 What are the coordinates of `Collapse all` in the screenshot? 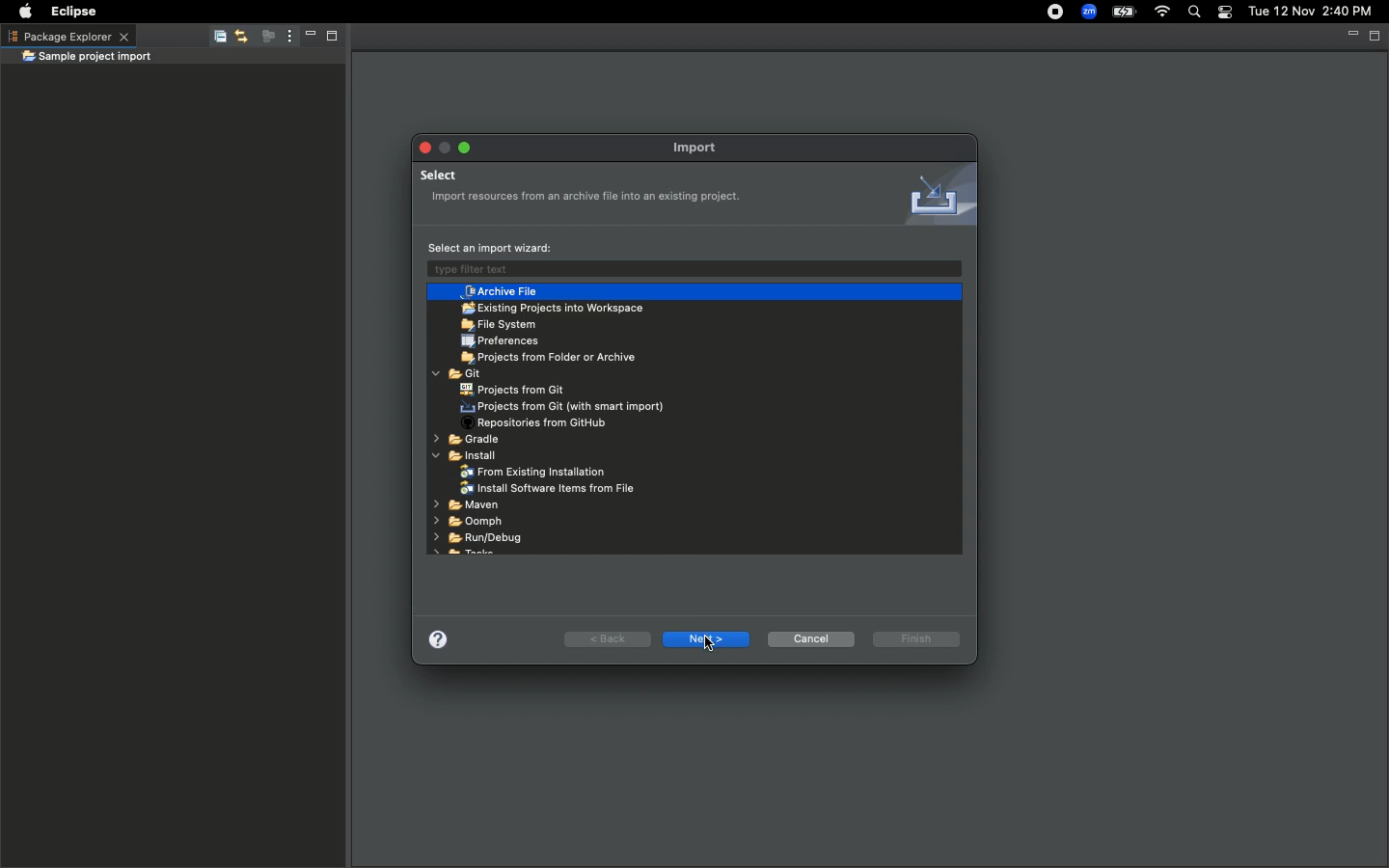 It's located at (216, 40).